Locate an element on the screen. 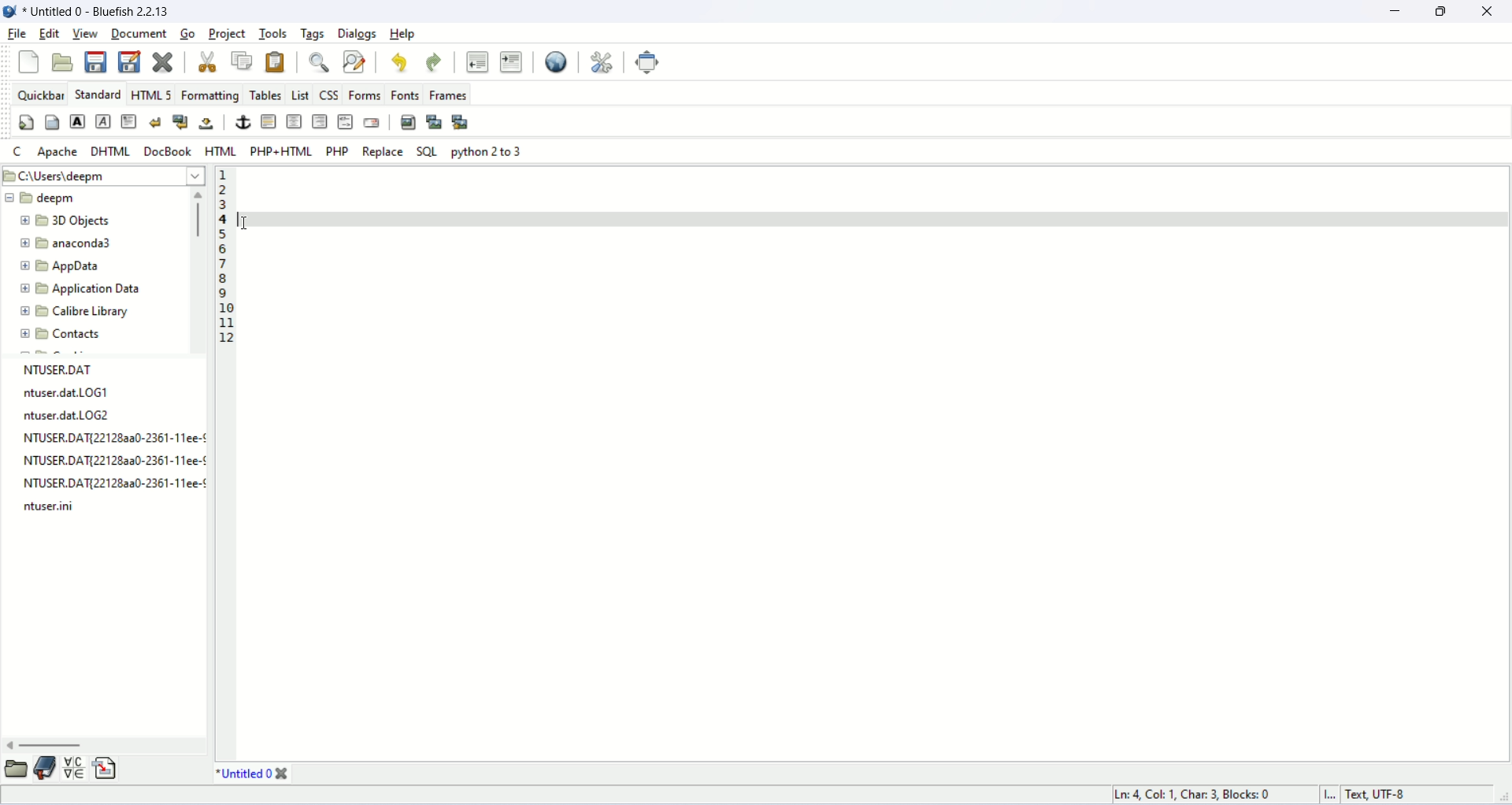  file explorer is located at coordinates (17, 771).